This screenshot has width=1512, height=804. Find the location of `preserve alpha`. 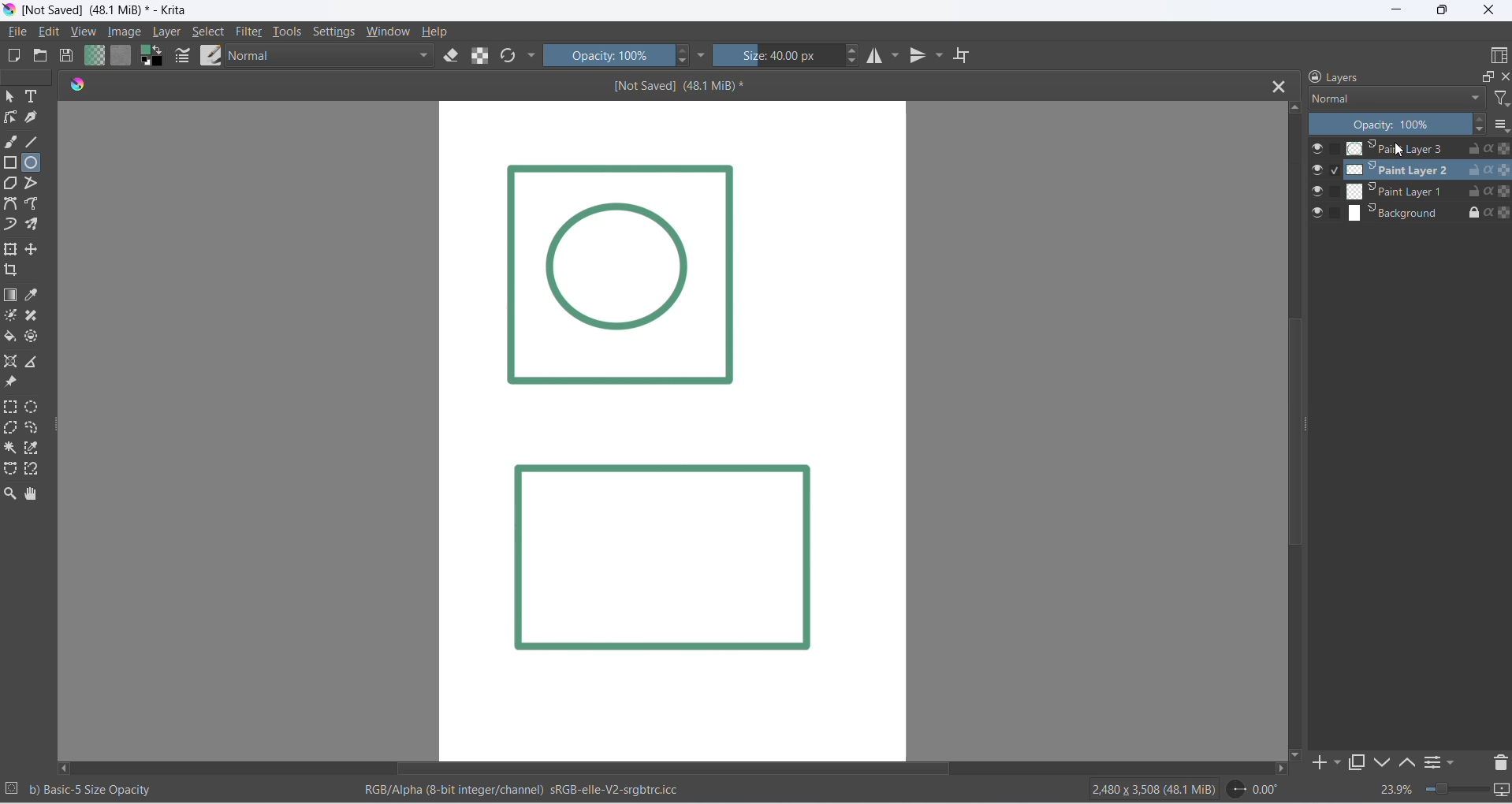

preserve alpha is located at coordinates (482, 56).